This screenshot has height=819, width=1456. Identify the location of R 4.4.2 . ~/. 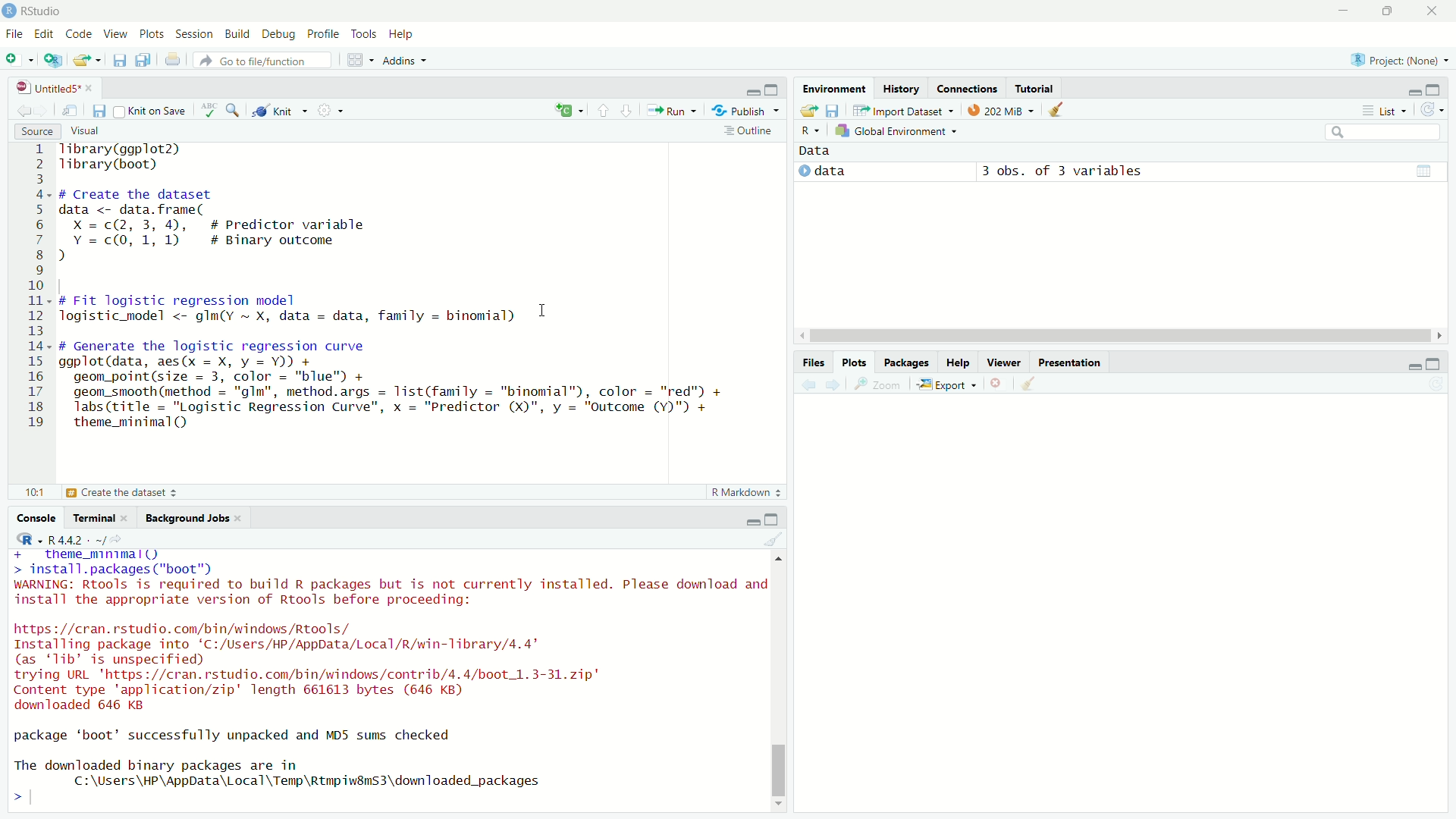
(77, 539).